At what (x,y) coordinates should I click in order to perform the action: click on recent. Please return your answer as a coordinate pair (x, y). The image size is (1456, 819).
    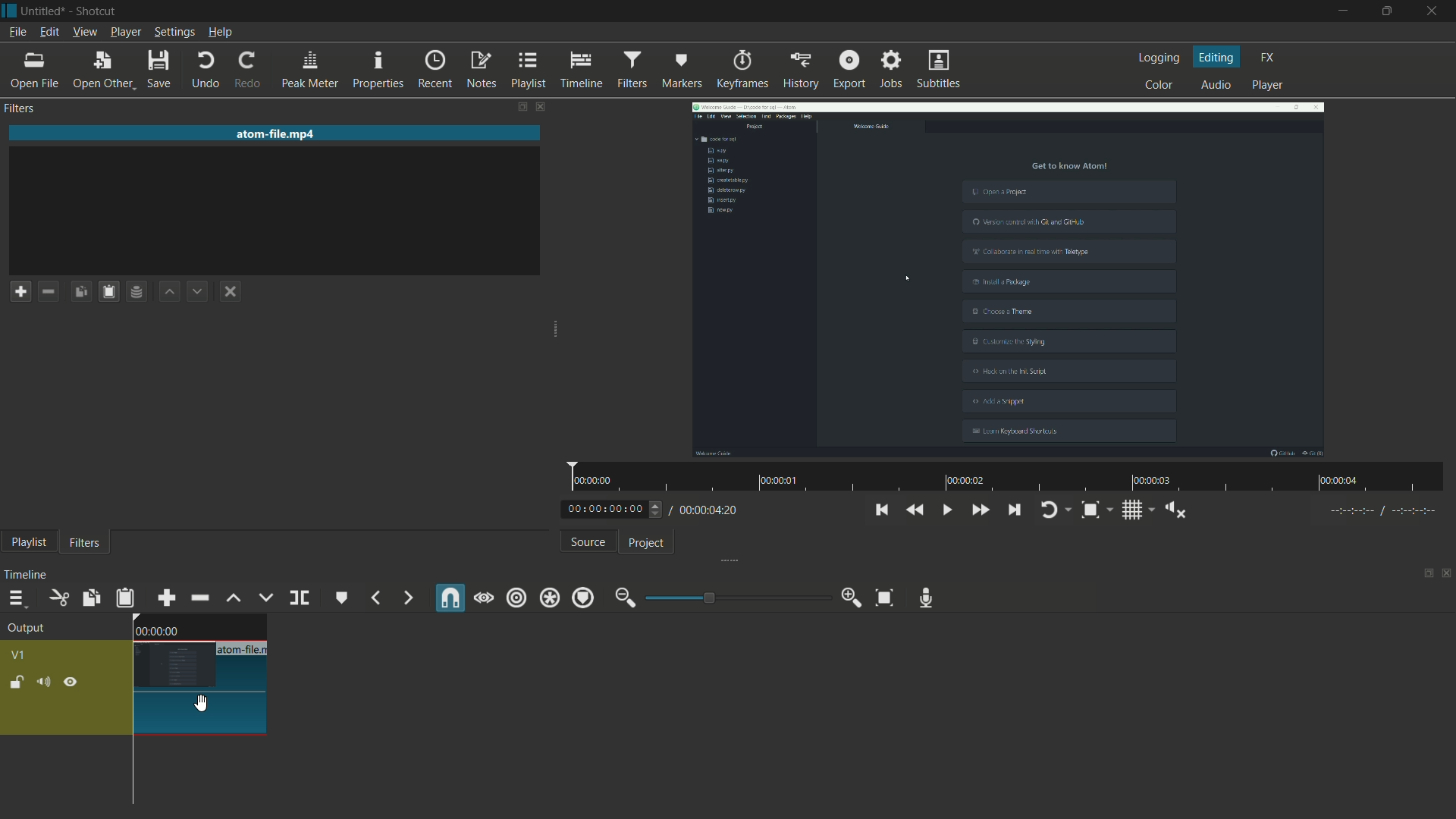
    Looking at the image, I should click on (431, 69).